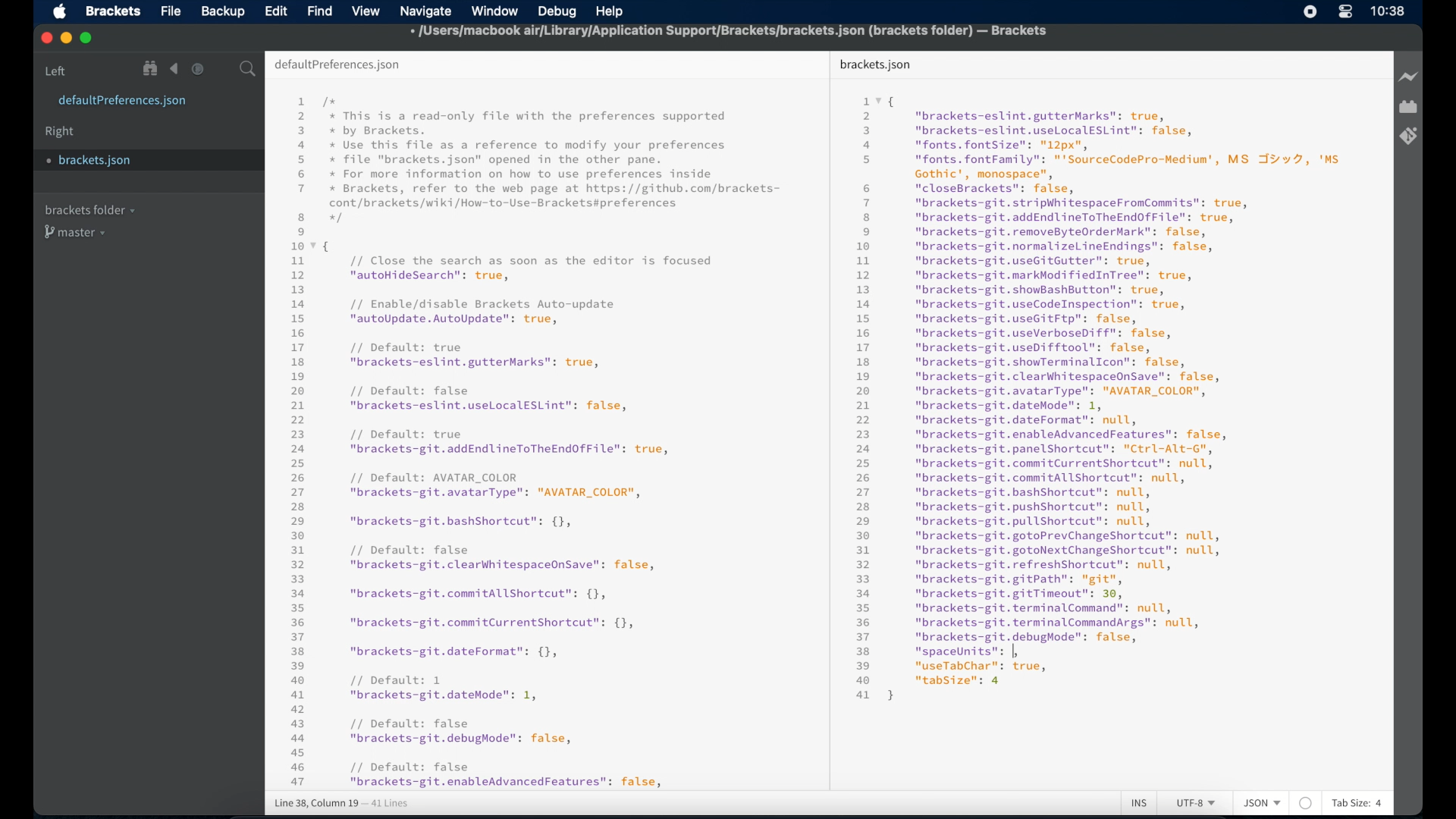  I want to click on debug, so click(557, 11).